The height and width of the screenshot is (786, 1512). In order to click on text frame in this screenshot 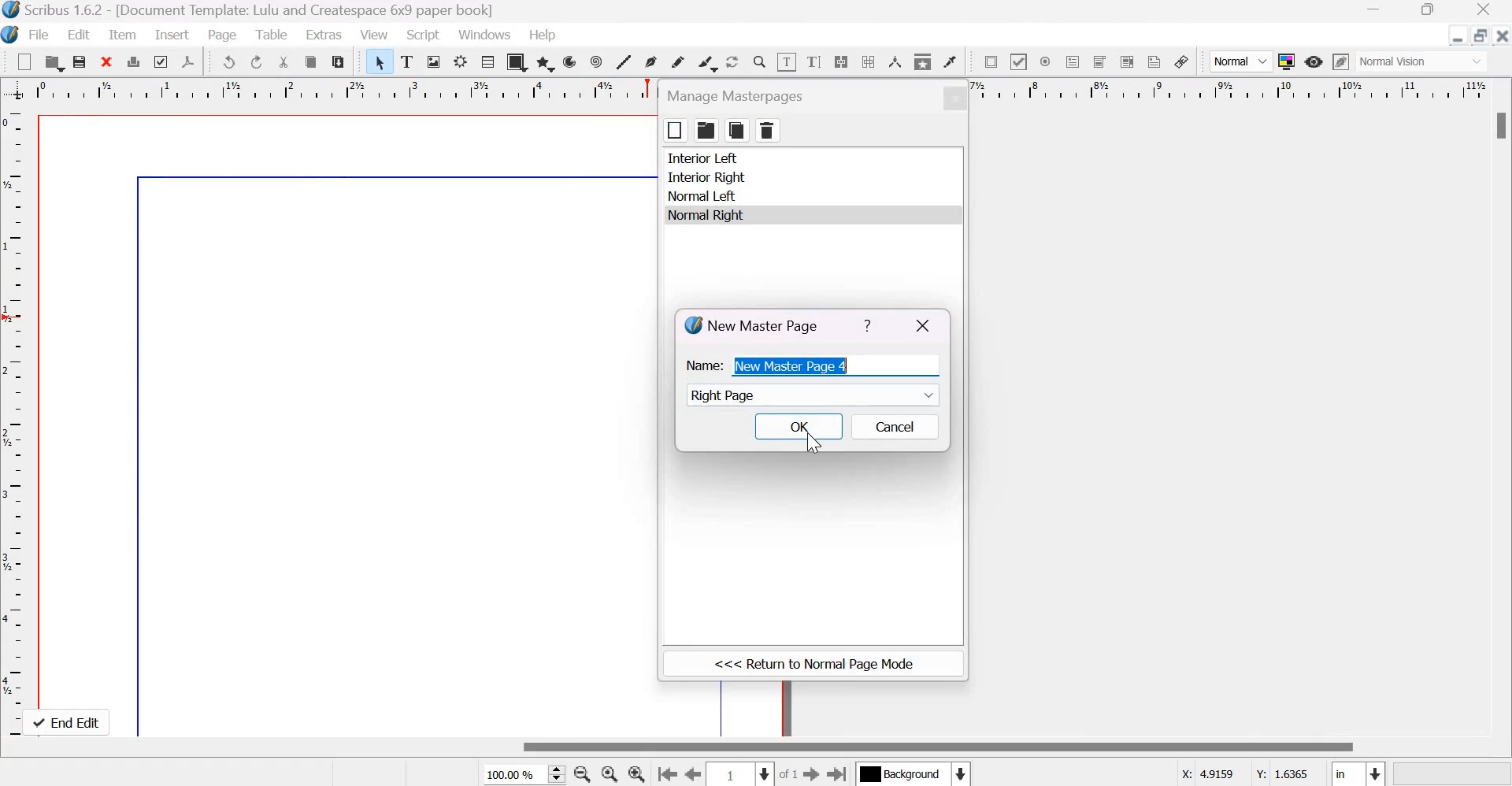, I will do `click(407, 62)`.